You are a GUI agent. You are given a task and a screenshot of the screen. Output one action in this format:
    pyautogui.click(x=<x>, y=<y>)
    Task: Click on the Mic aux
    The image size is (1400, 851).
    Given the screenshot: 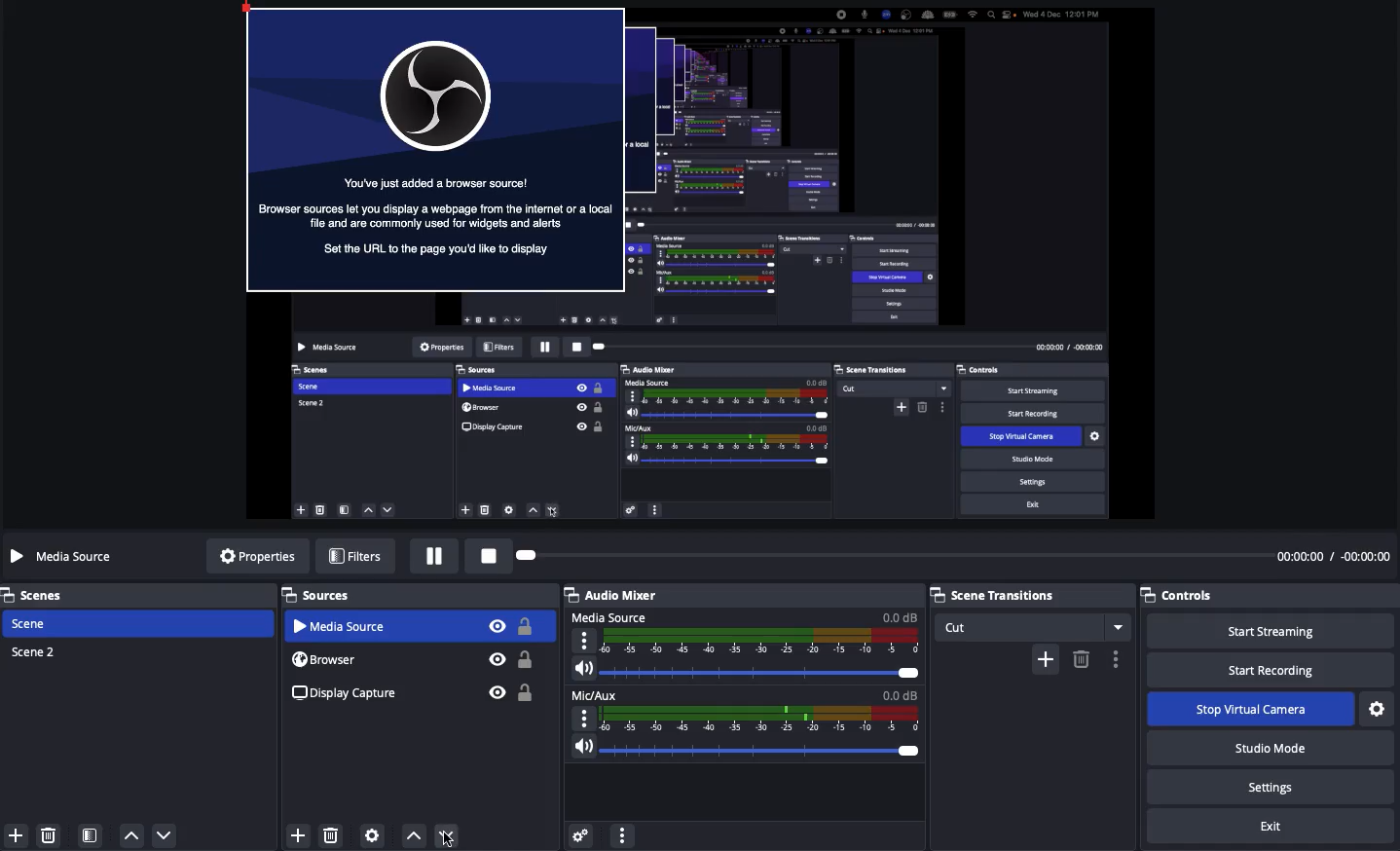 What is the action you would take?
    pyautogui.click(x=747, y=709)
    